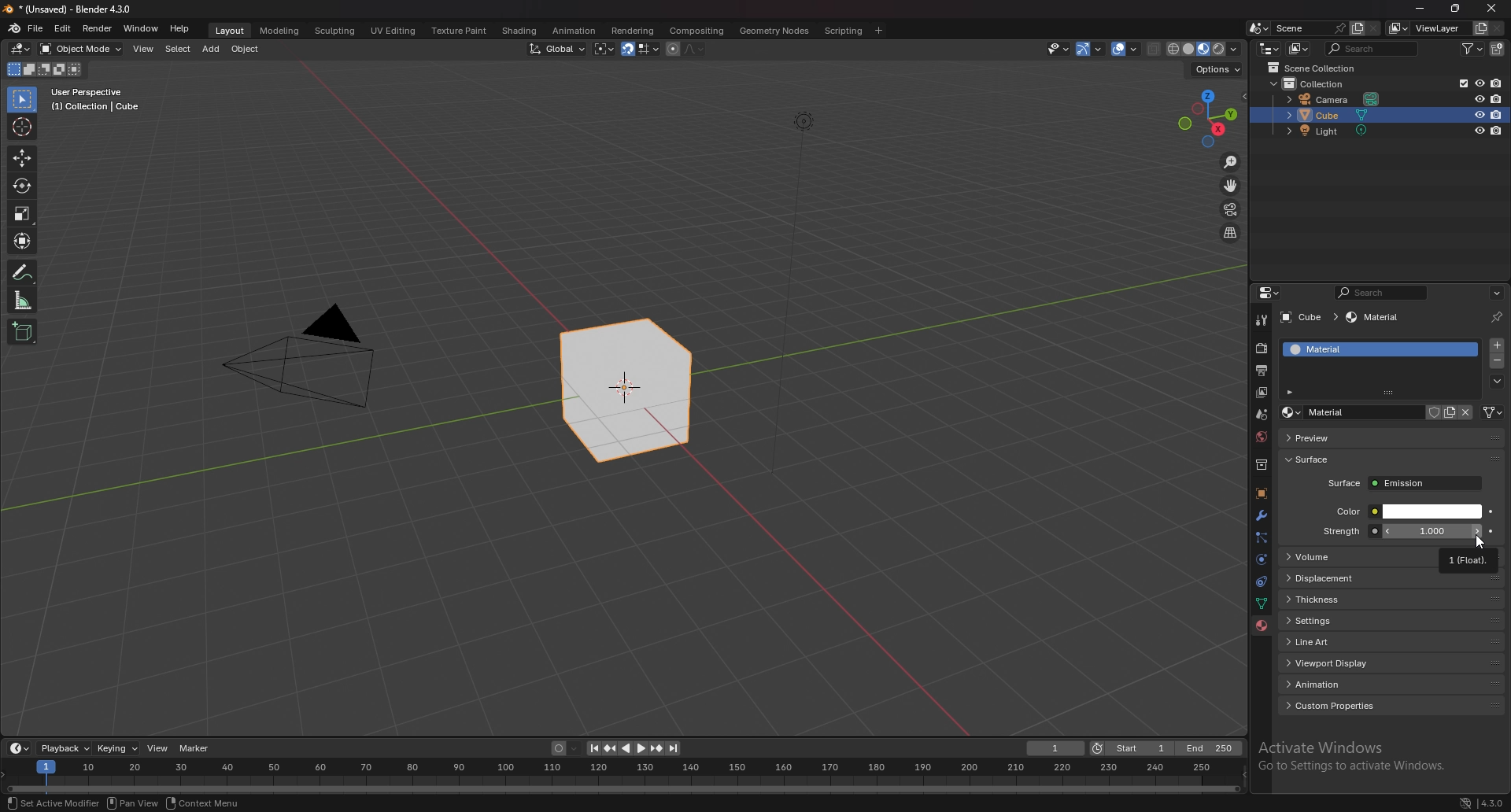  Describe the element at coordinates (1215, 69) in the screenshot. I see `options` at that location.